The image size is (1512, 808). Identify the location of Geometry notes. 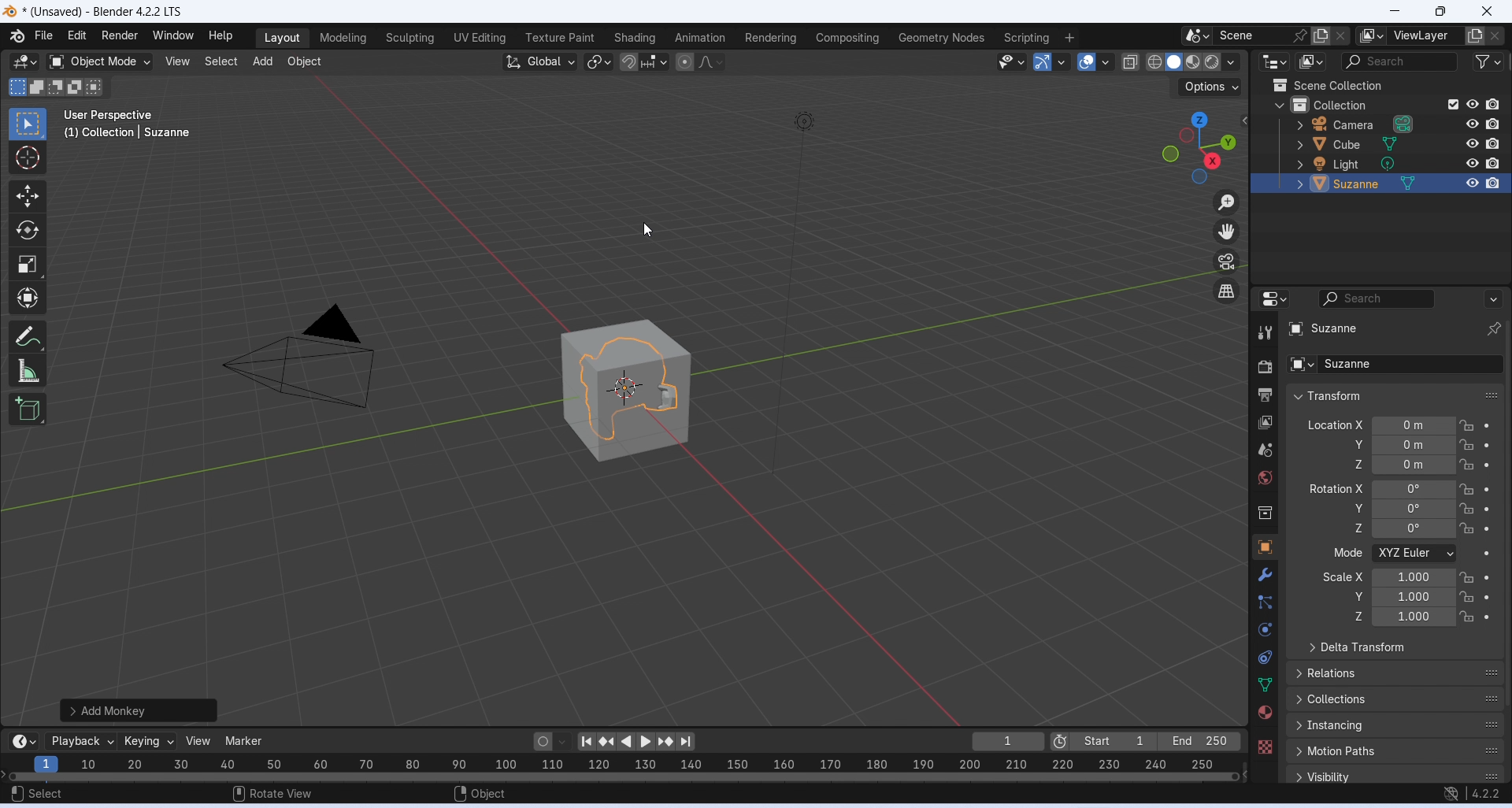
(943, 37).